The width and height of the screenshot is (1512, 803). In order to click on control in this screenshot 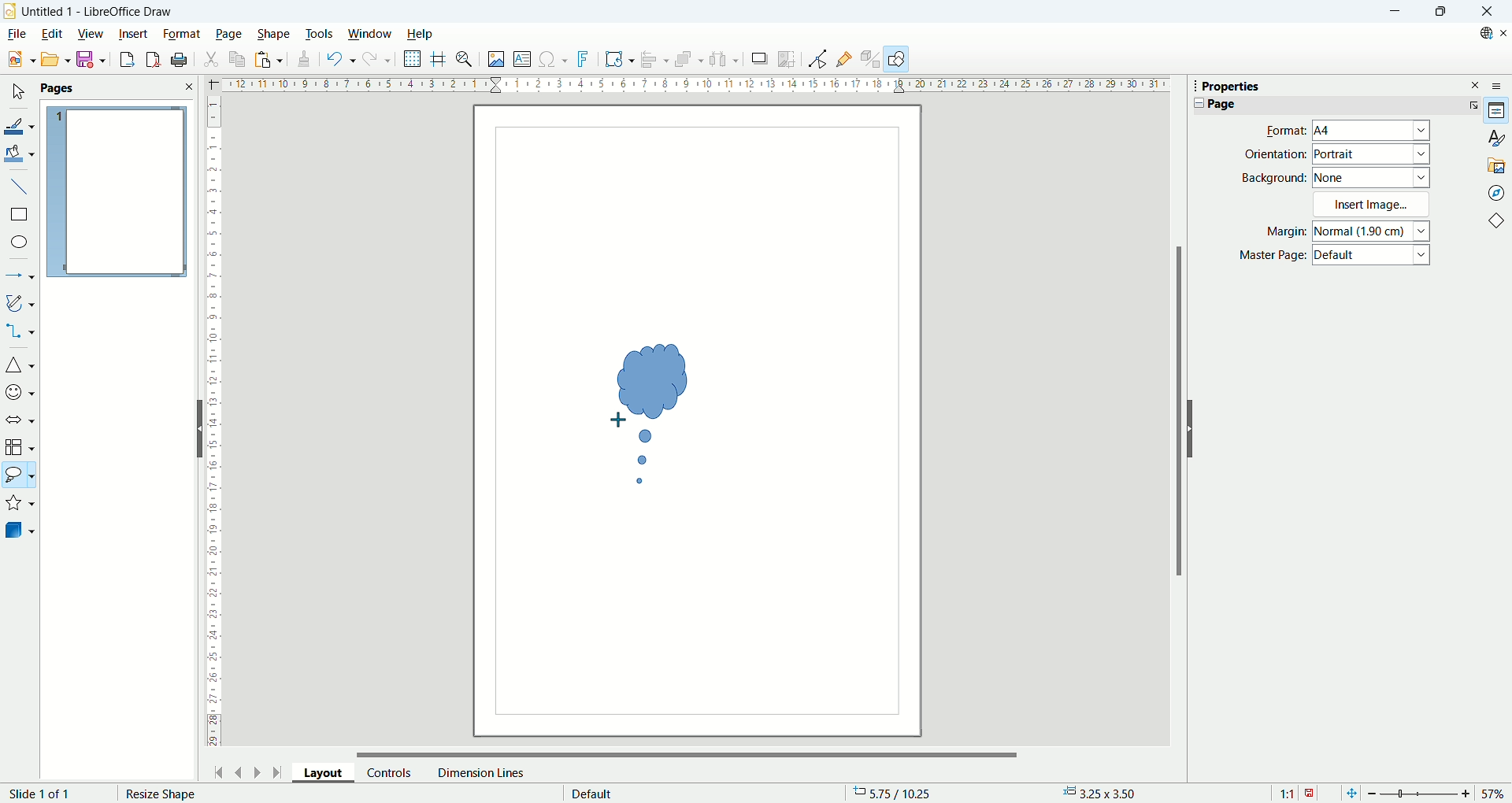, I will do `click(390, 772)`.